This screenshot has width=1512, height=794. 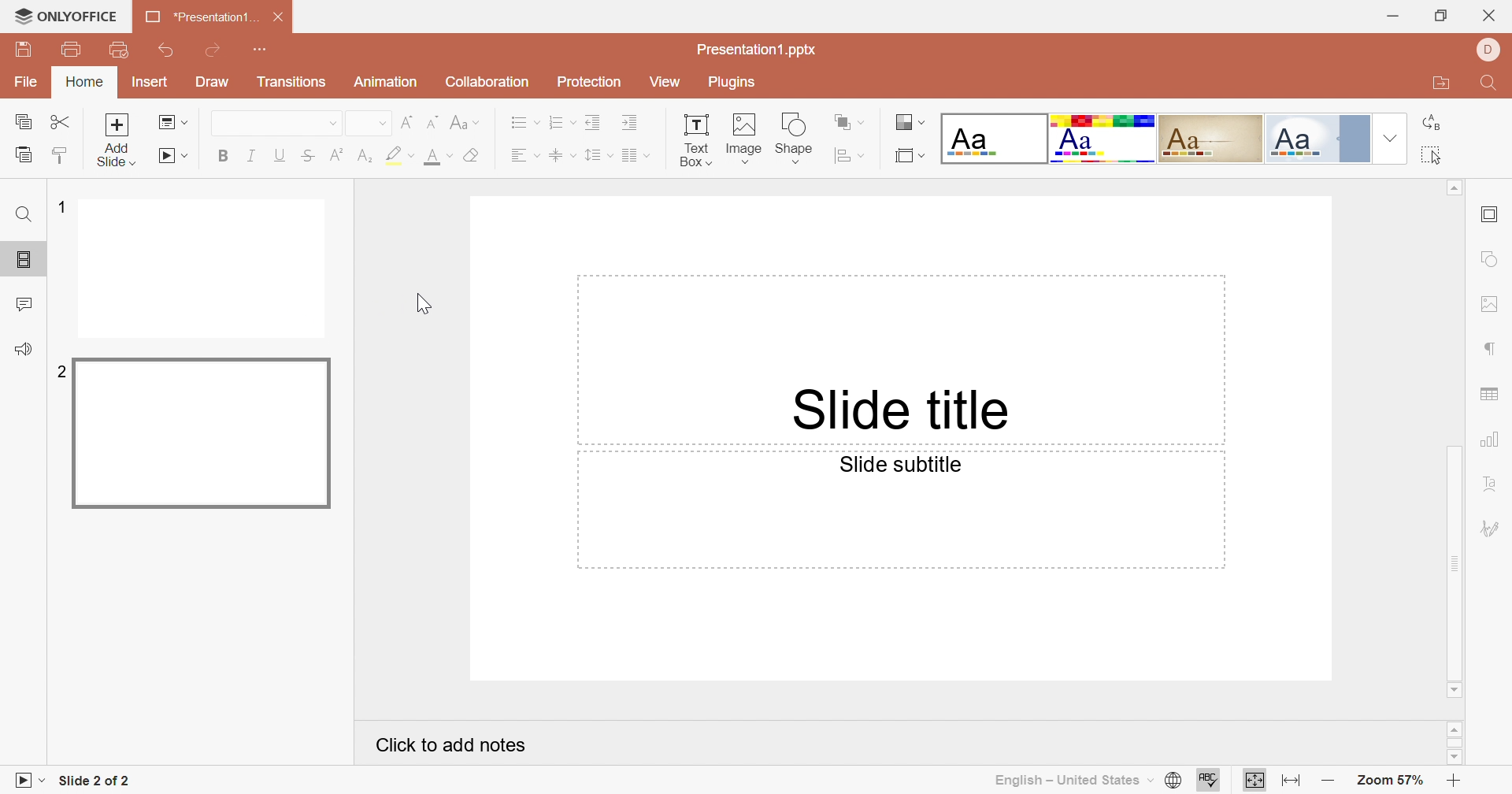 What do you see at coordinates (1491, 484) in the screenshot?
I see `Text Art settings` at bounding box center [1491, 484].